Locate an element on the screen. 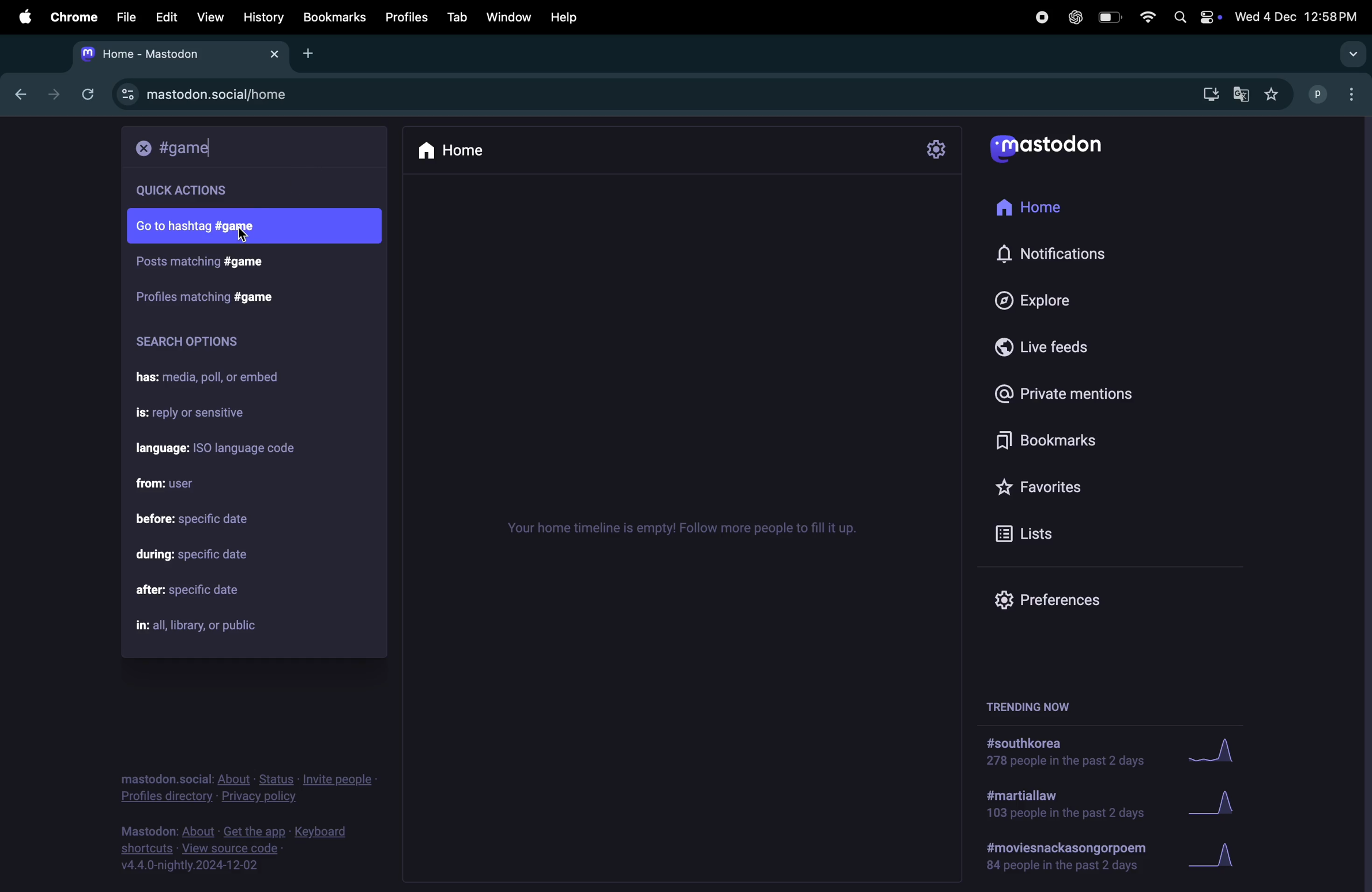  list is located at coordinates (1026, 531).